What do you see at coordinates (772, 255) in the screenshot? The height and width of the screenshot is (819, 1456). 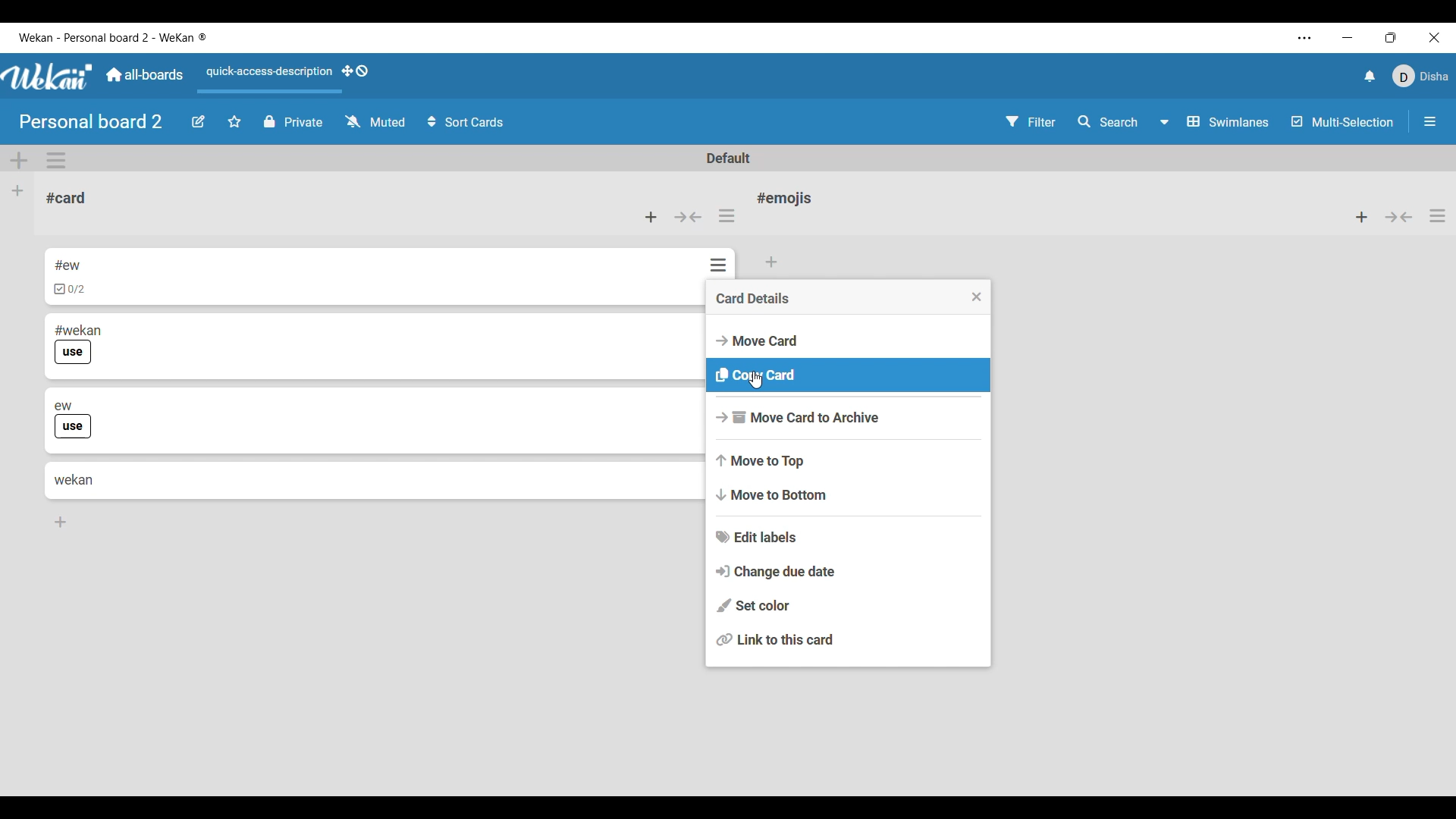 I see `Add` at bounding box center [772, 255].